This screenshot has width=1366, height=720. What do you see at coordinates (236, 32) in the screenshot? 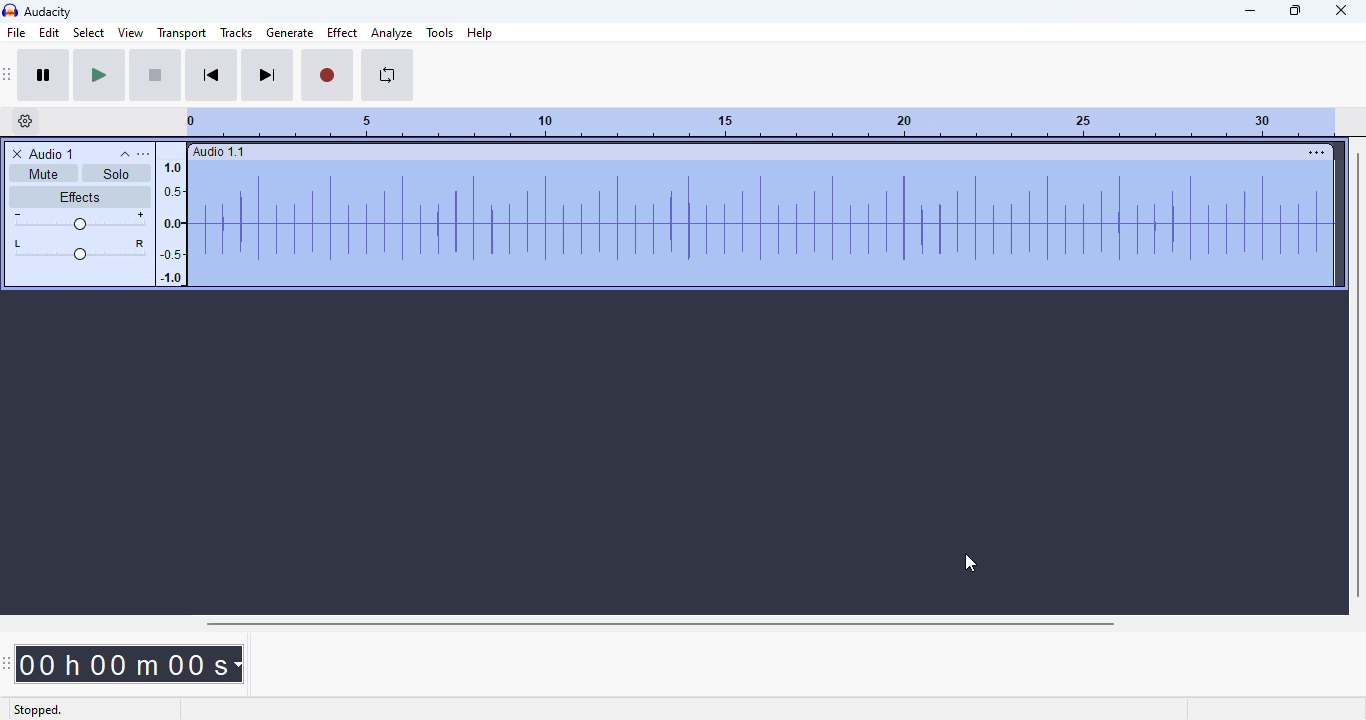
I see `tracks` at bounding box center [236, 32].